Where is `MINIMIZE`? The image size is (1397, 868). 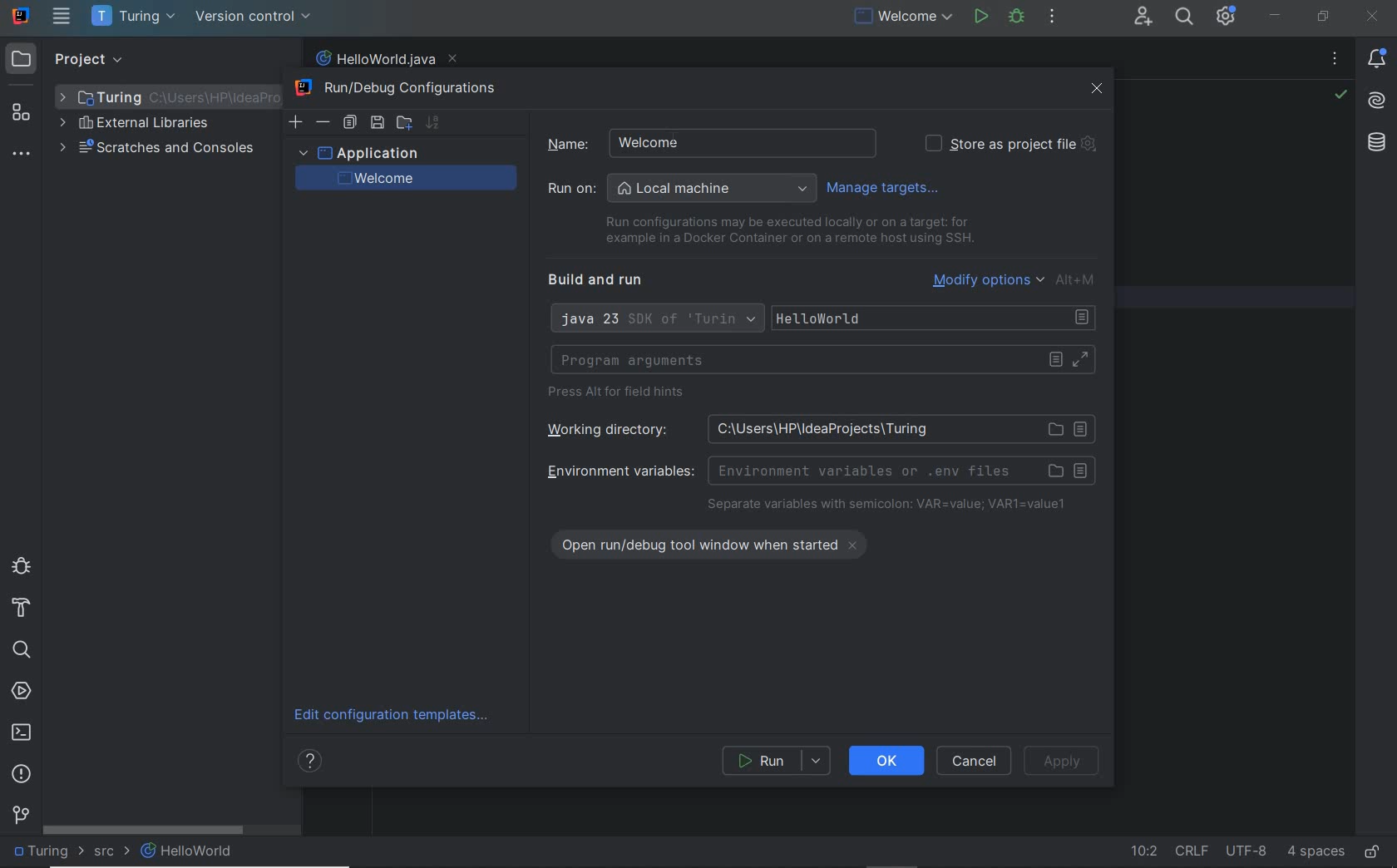 MINIMIZE is located at coordinates (1275, 16).